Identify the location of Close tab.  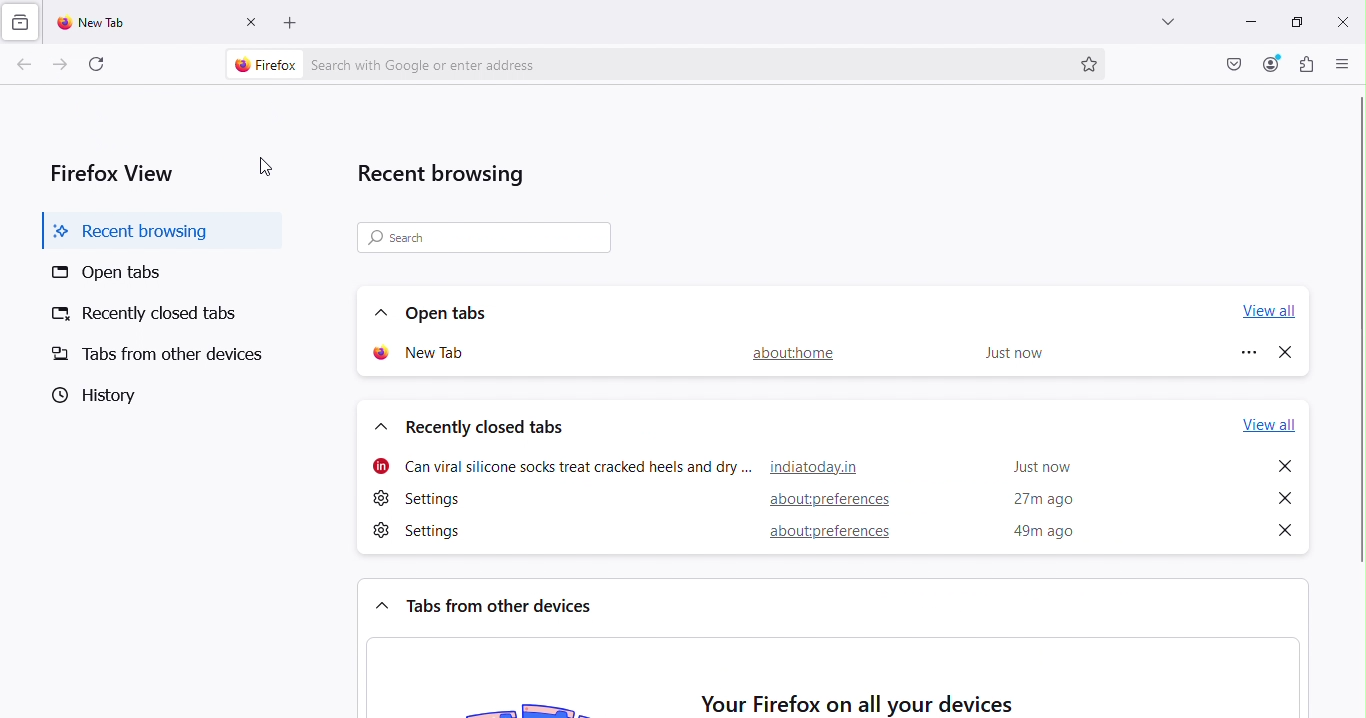
(251, 23).